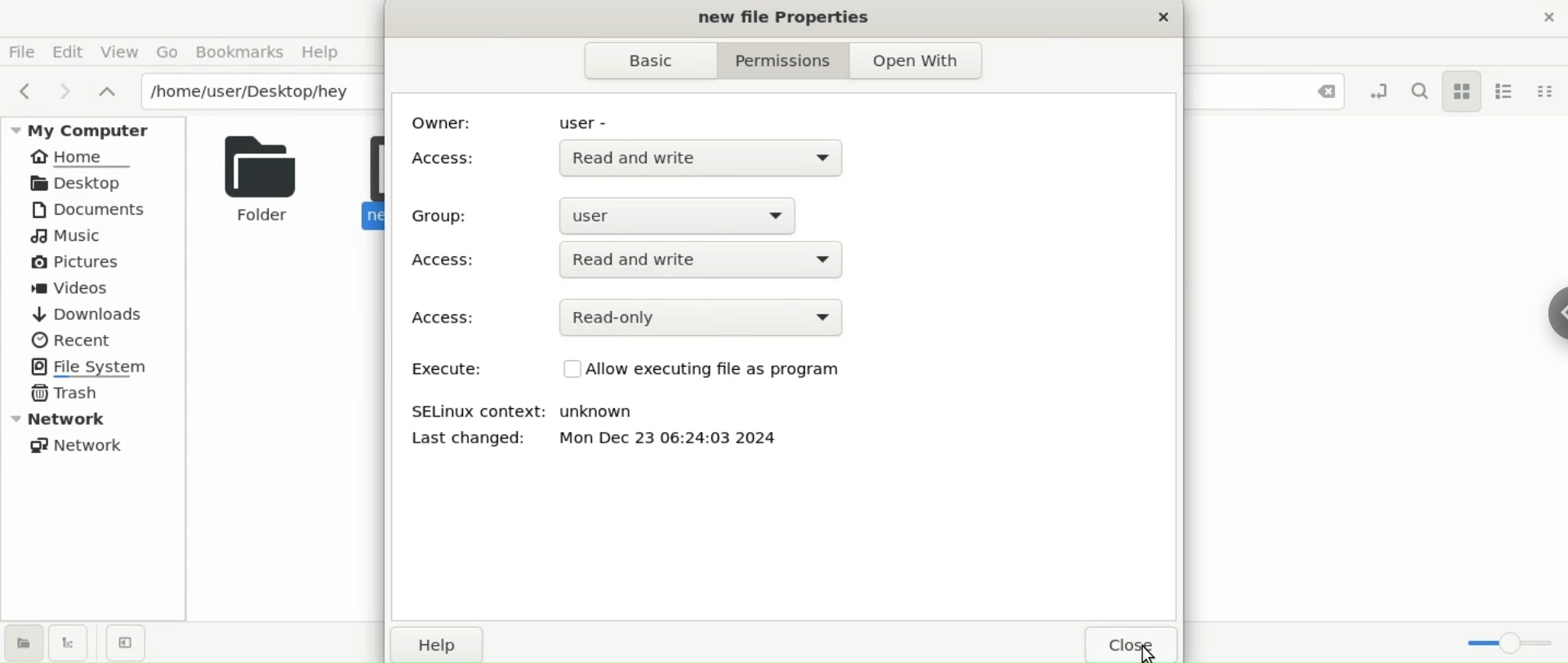 This screenshot has width=1568, height=663. I want to click on sidebar, so click(1553, 309).